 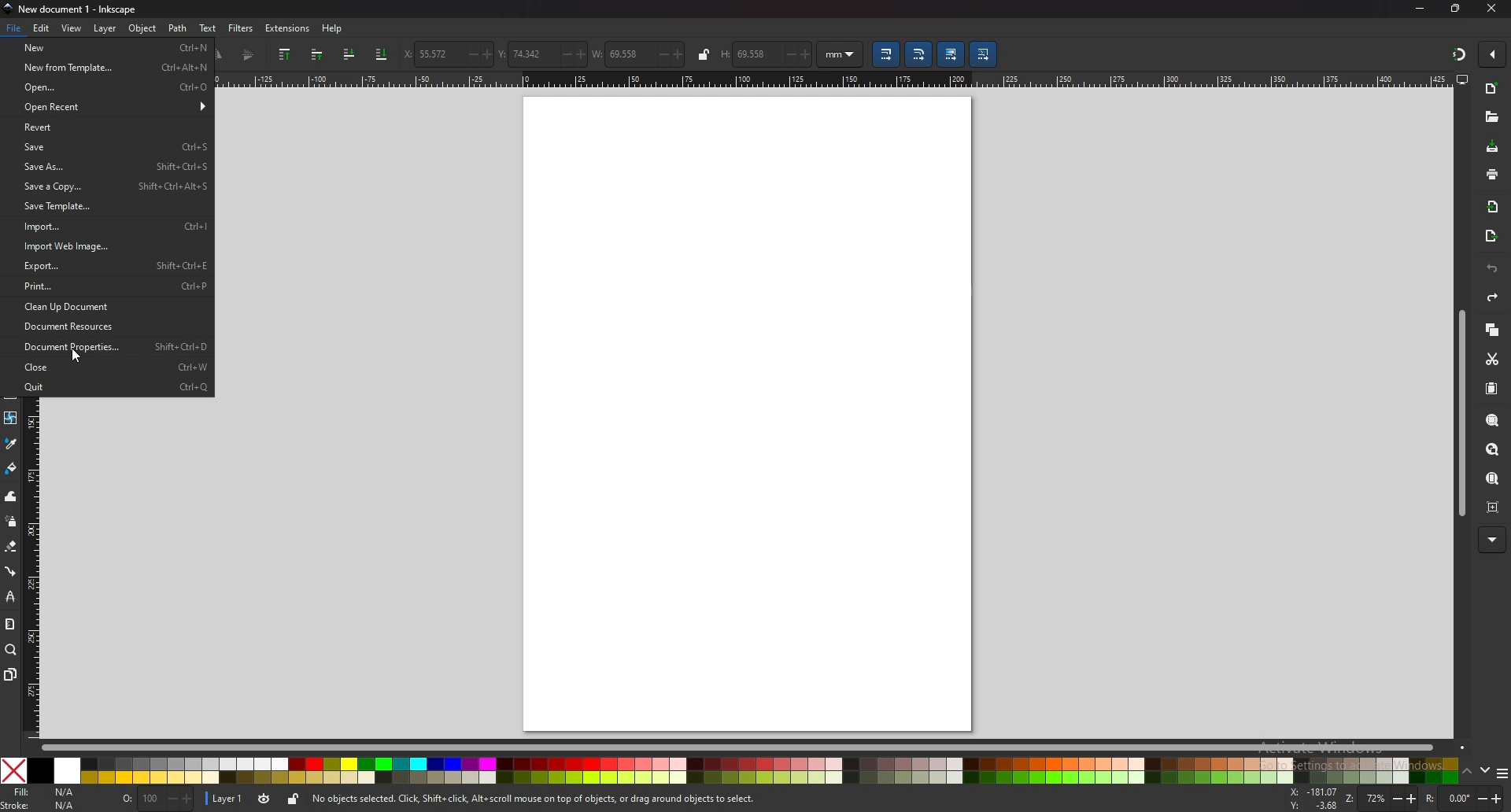 What do you see at coordinates (10, 650) in the screenshot?
I see `zoom` at bounding box center [10, 650].